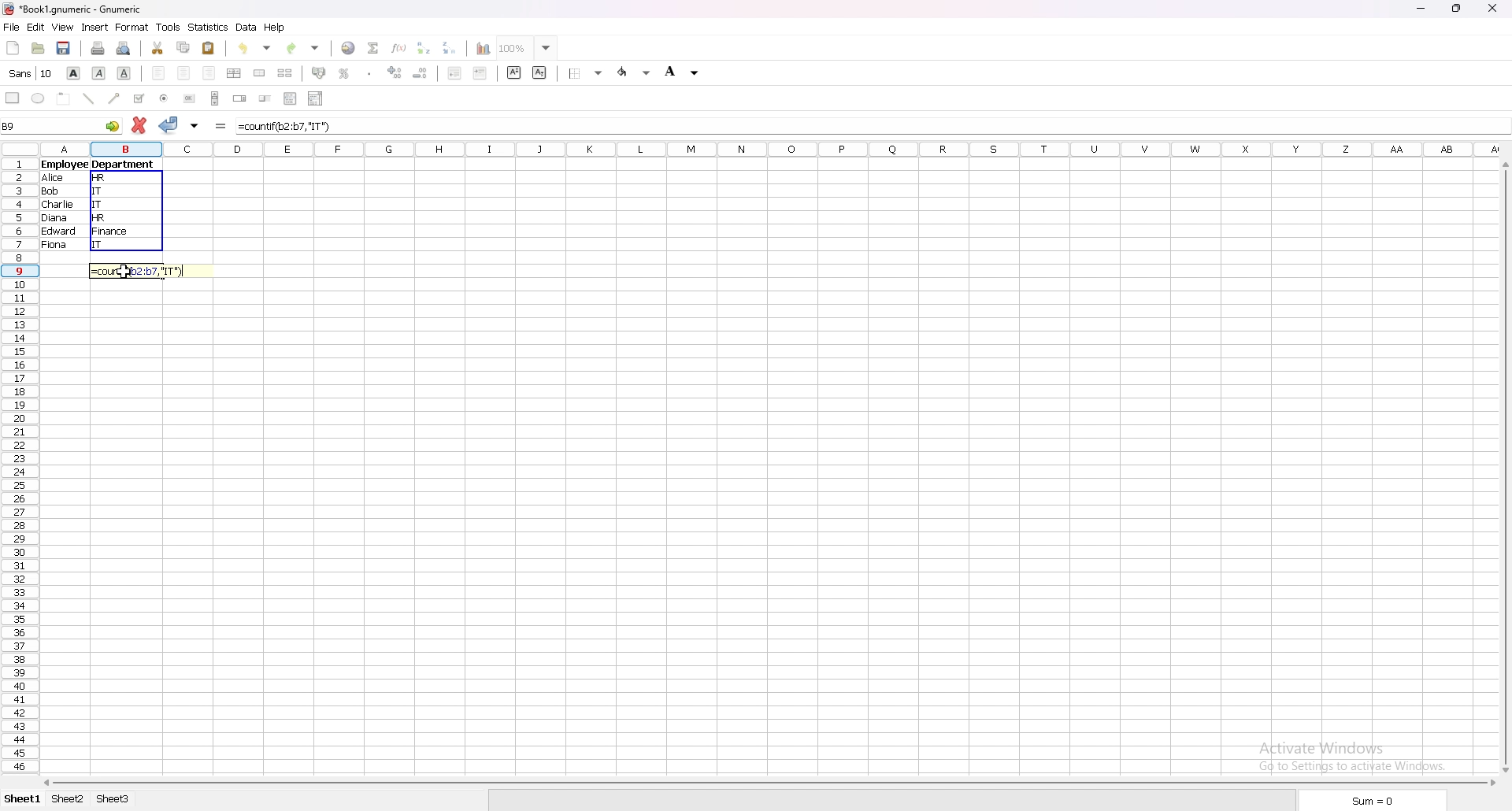 The height and width of the screenshot is (811, 1512). I want to click on increase decimals, so click(397, 73).